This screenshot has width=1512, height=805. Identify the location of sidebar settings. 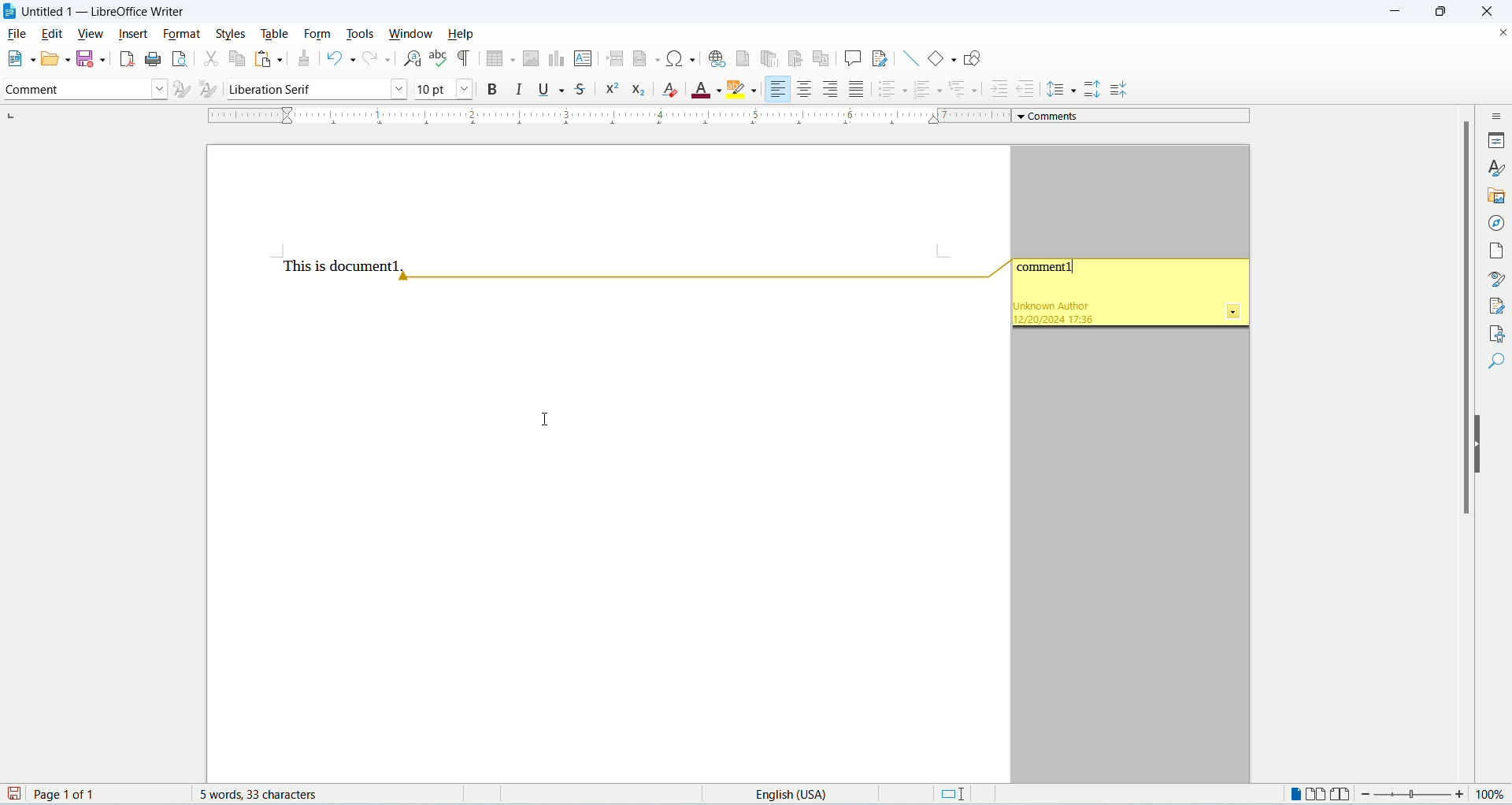
(1497, 116).